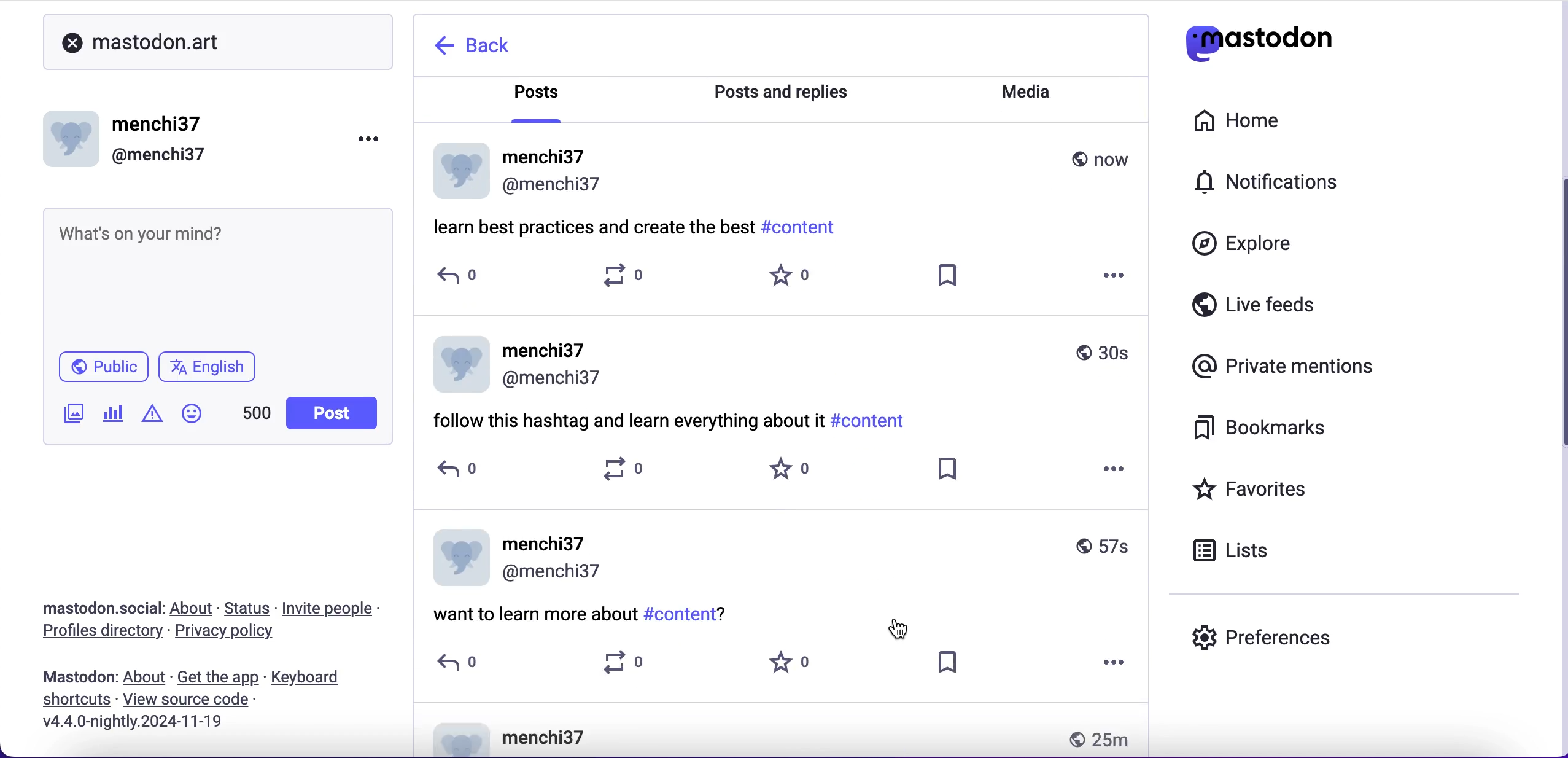 This screenshot has height=758, width=1568. What do you see at coordinates (489, 47) in the screenshot?
I see `back` at bounding box center [489, 47].